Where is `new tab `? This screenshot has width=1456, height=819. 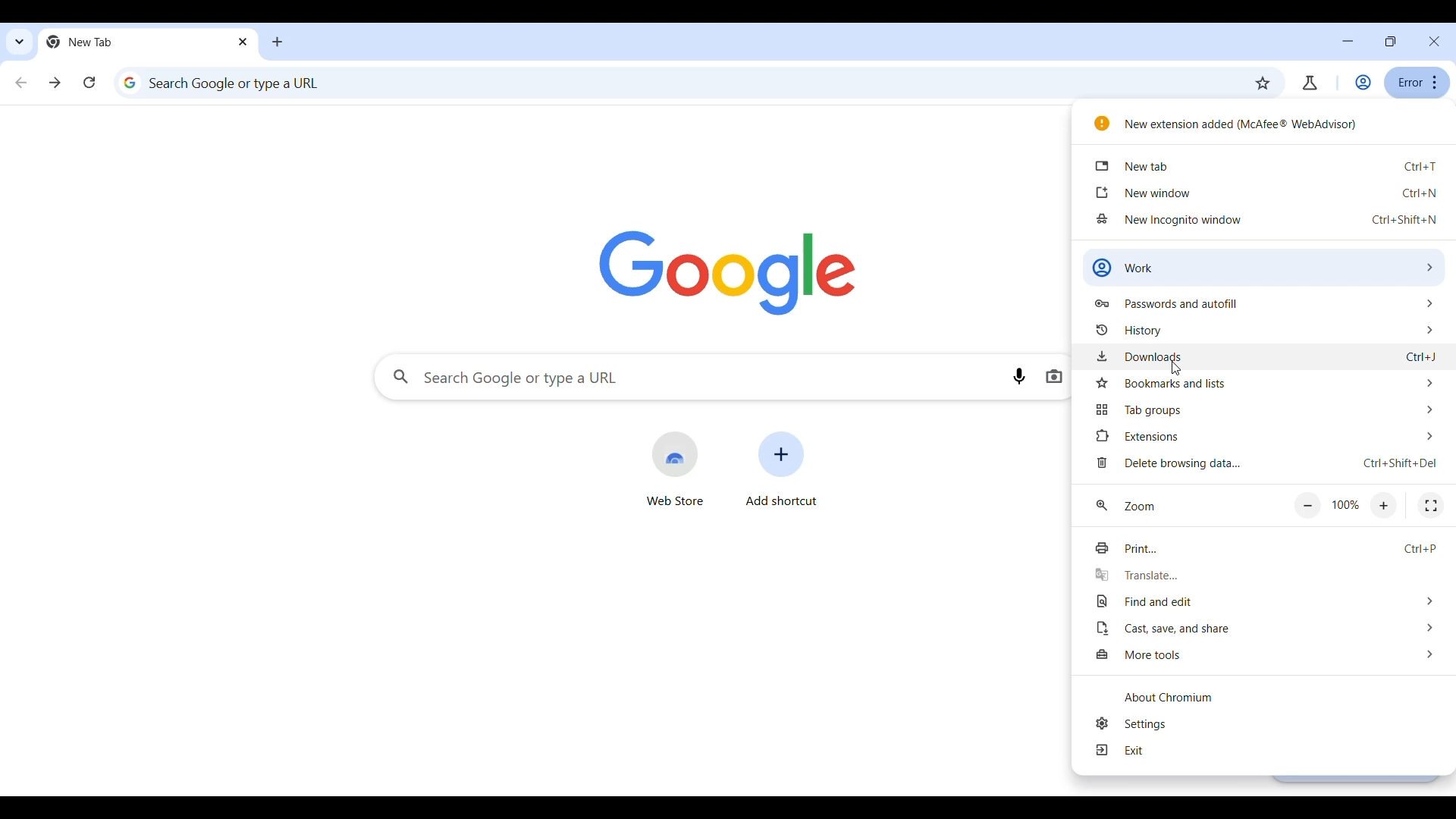
new tab  is located at coordinates (1262, 164).